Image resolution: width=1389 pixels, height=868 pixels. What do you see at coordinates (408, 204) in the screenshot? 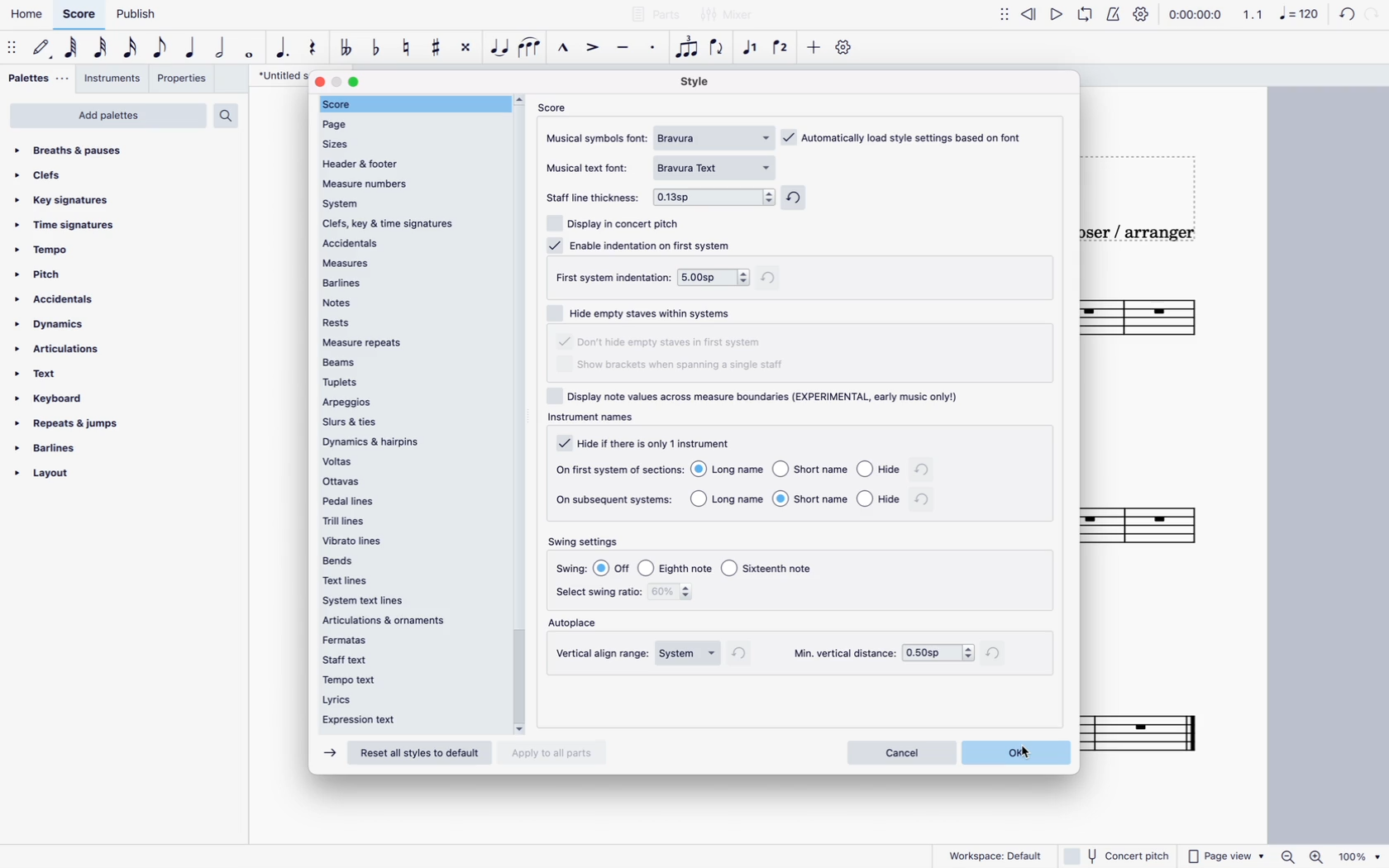
I see `system` at bounding box center [408, 204].